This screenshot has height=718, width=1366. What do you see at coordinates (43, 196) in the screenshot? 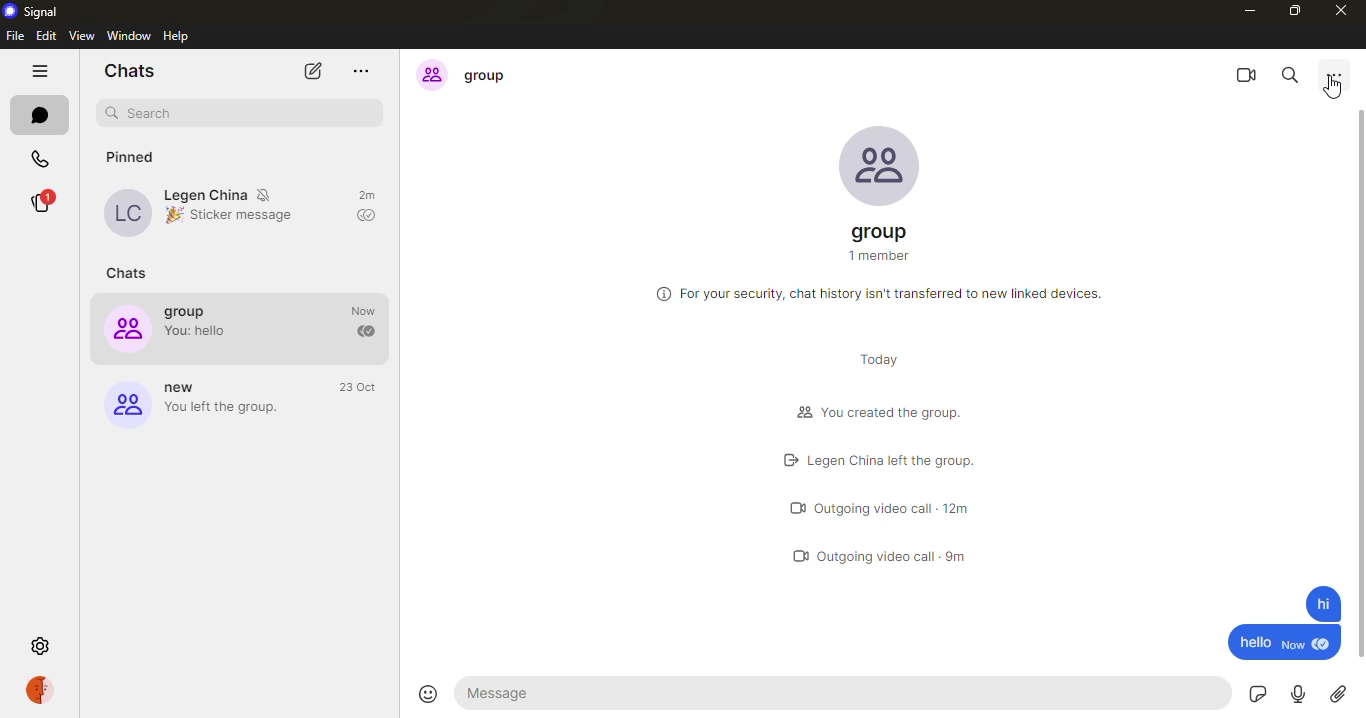
I see `stories` at bounding box center [43, 196].